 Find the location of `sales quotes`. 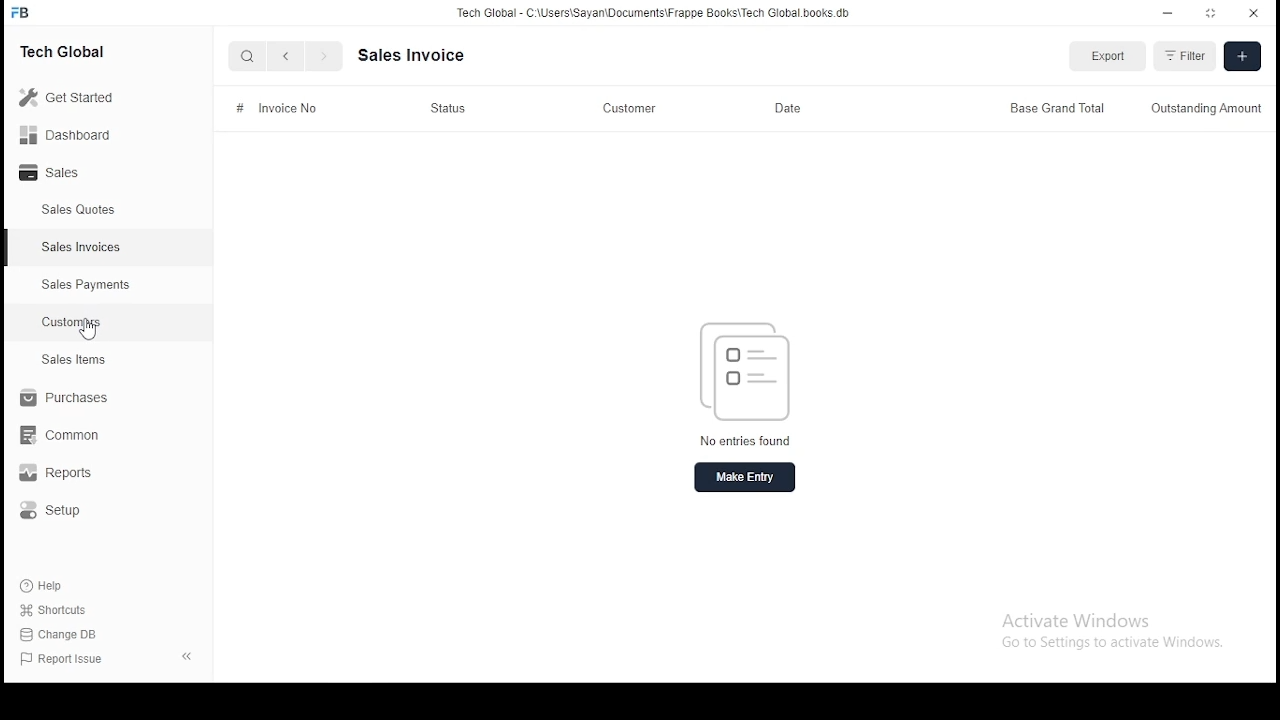

sales quotes is located at coordinates (81, 210).